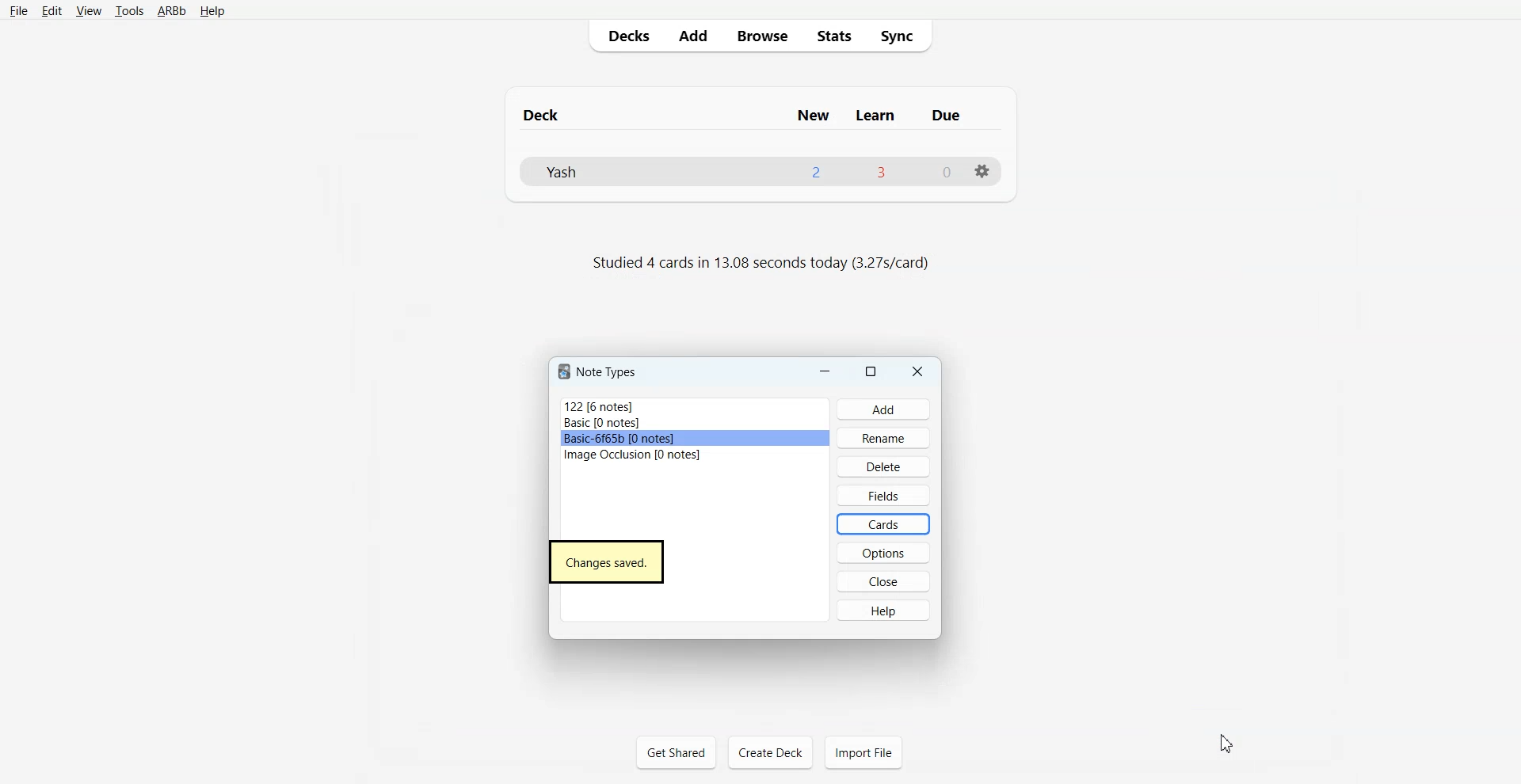 This screenshot has width=1521, height=784. What do you see at coordinates (760, 36) in the screenshot?
I see `Browse` at bounding box center [760, 36].